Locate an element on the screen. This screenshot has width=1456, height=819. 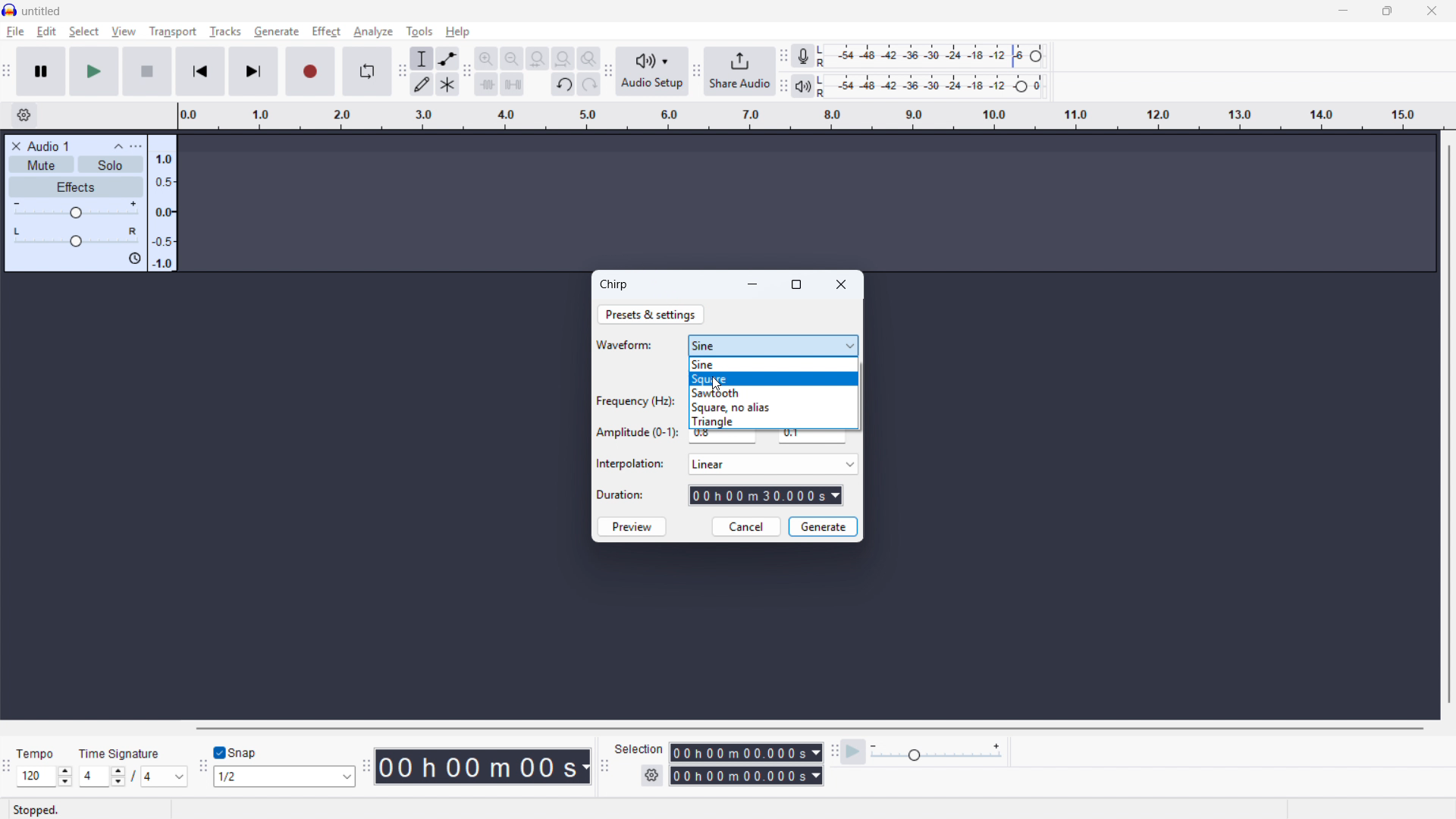
square  is located at coordinates (774, 380).